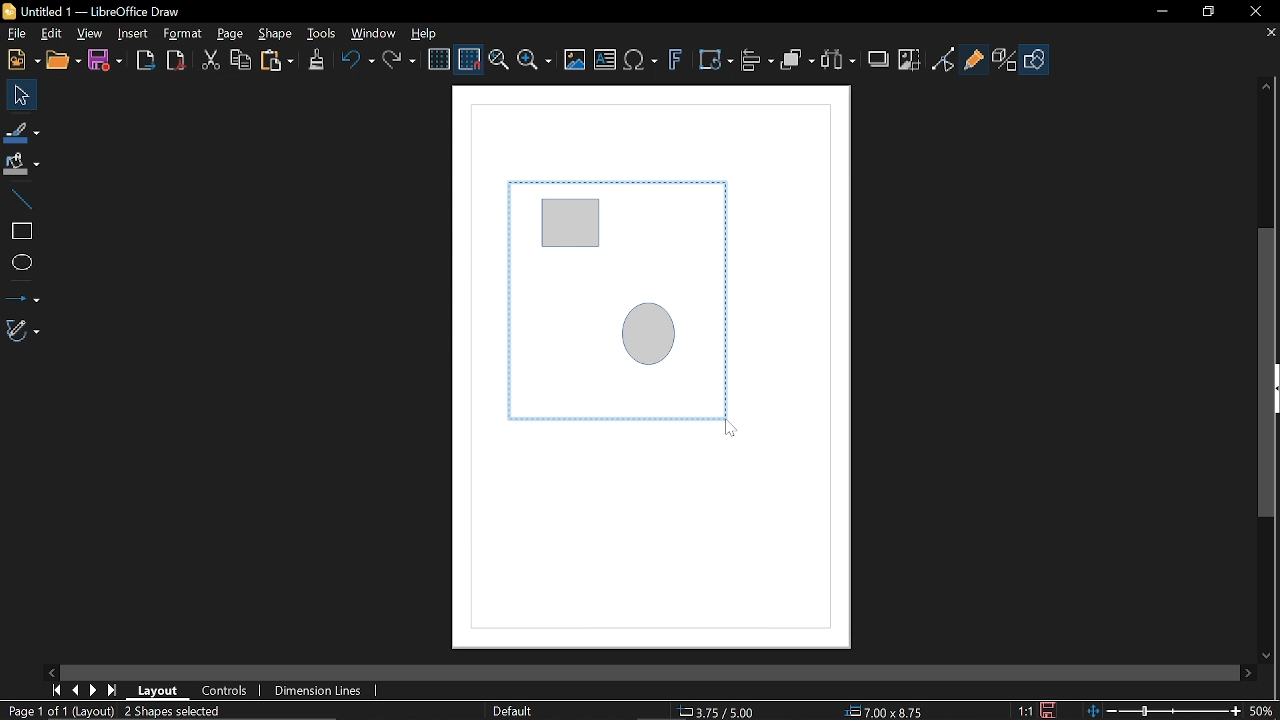  I want to click on Previous page, so click(78, 690).